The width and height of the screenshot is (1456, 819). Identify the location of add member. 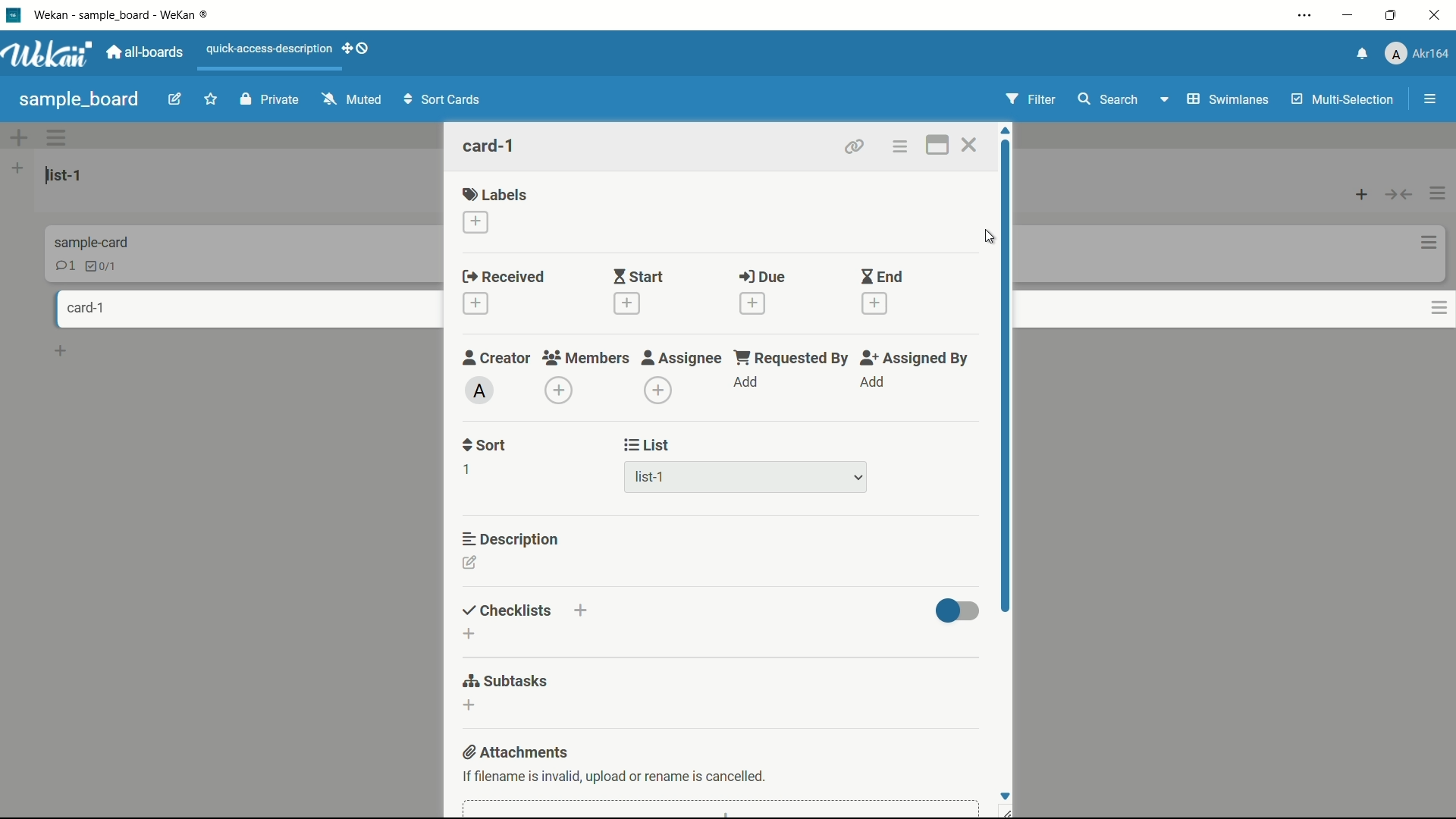
(556, 393).